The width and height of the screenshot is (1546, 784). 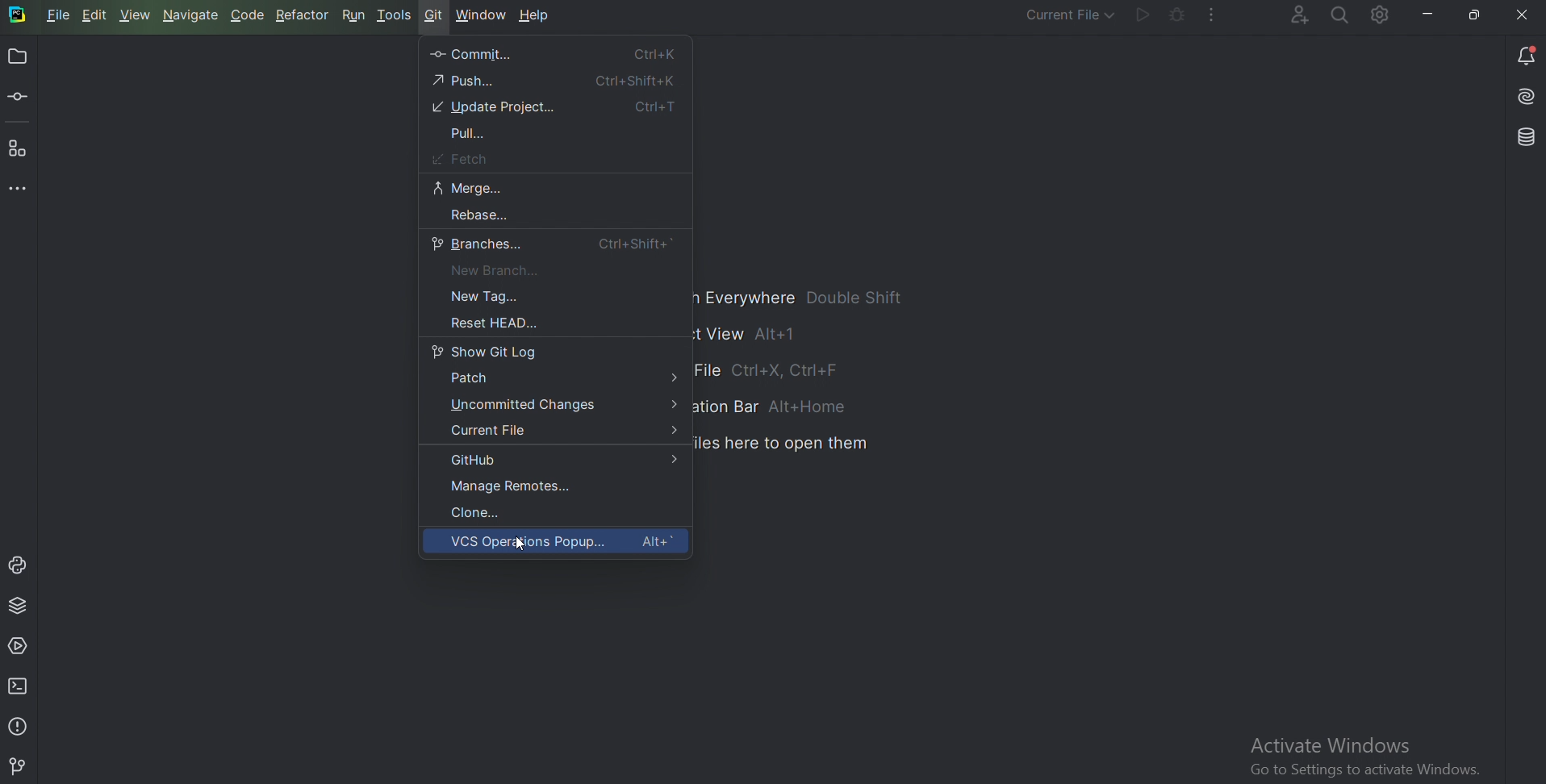 I want to click on Update project, so click(x=557, y=107).